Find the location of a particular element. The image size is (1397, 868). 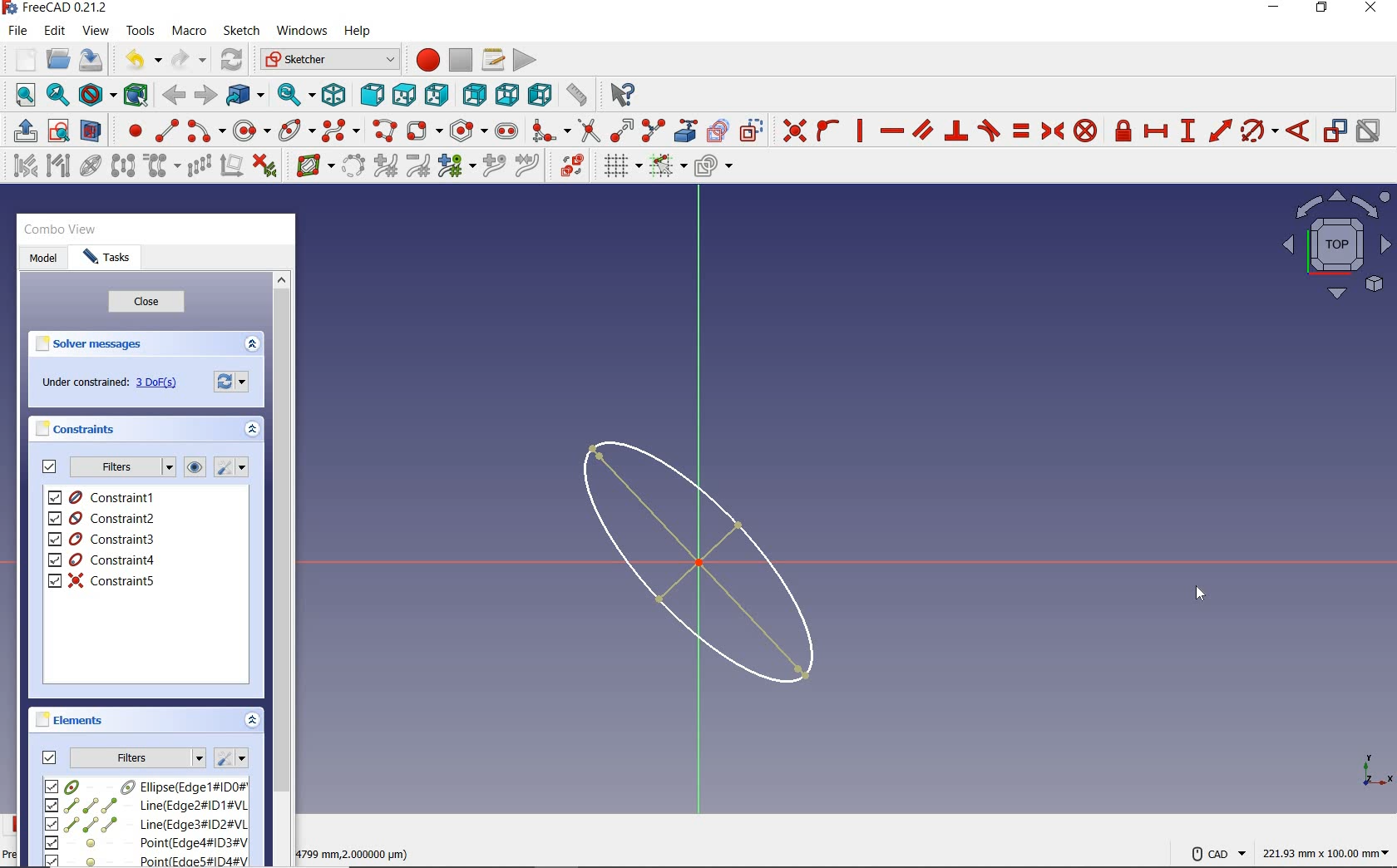

go to linked object is located at coordinates (245, 94).